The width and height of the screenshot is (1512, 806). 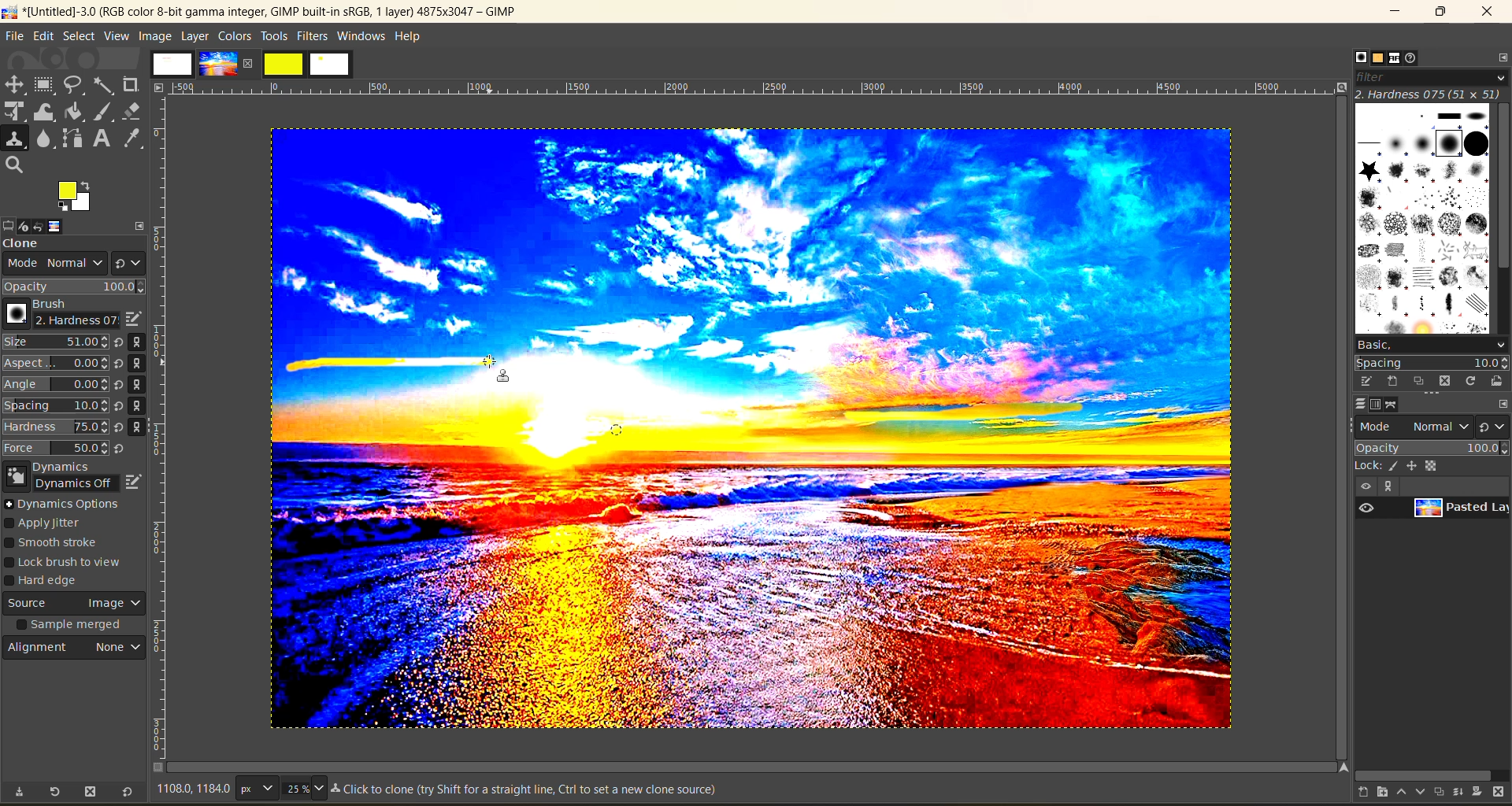 What do you see at coordinates (1369, 508) in the screenshot?
I see `preview` at bounding box center [1369, 508].